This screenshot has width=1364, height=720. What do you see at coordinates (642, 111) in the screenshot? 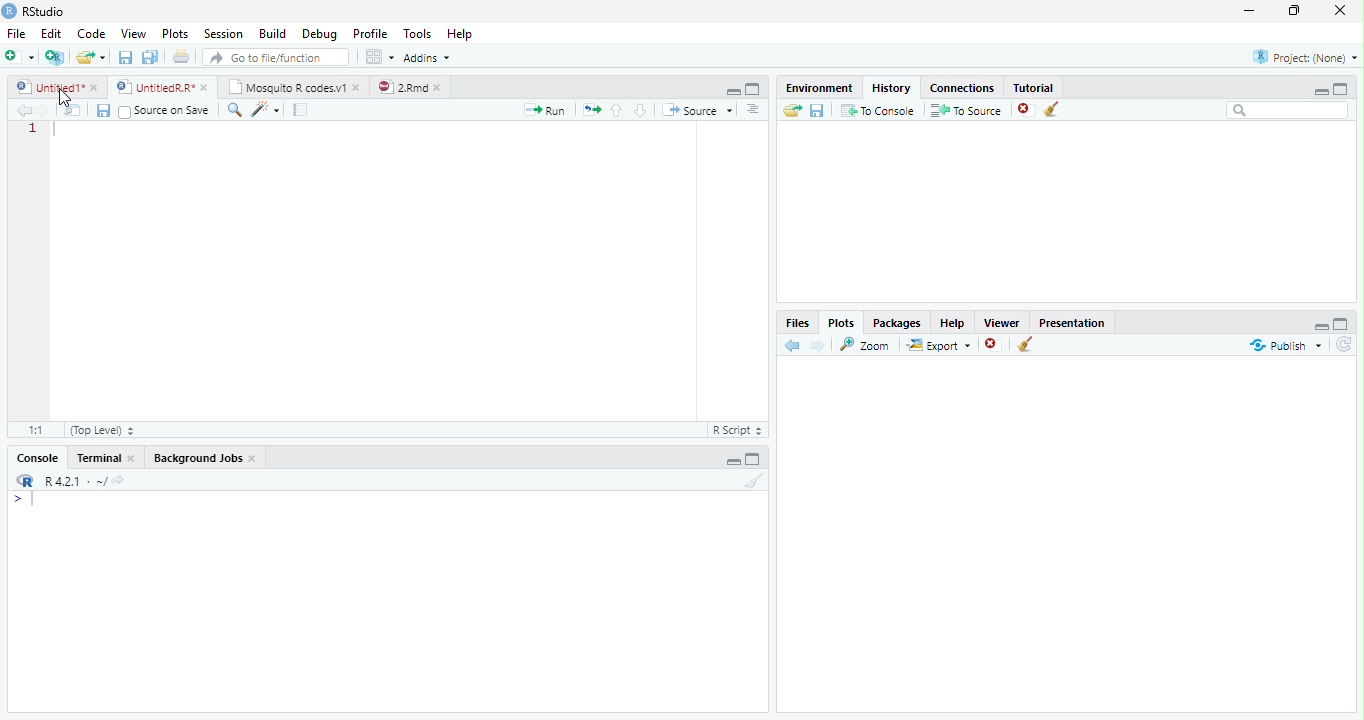
I see `Go to next section of code` at bounding box center [642, 111].